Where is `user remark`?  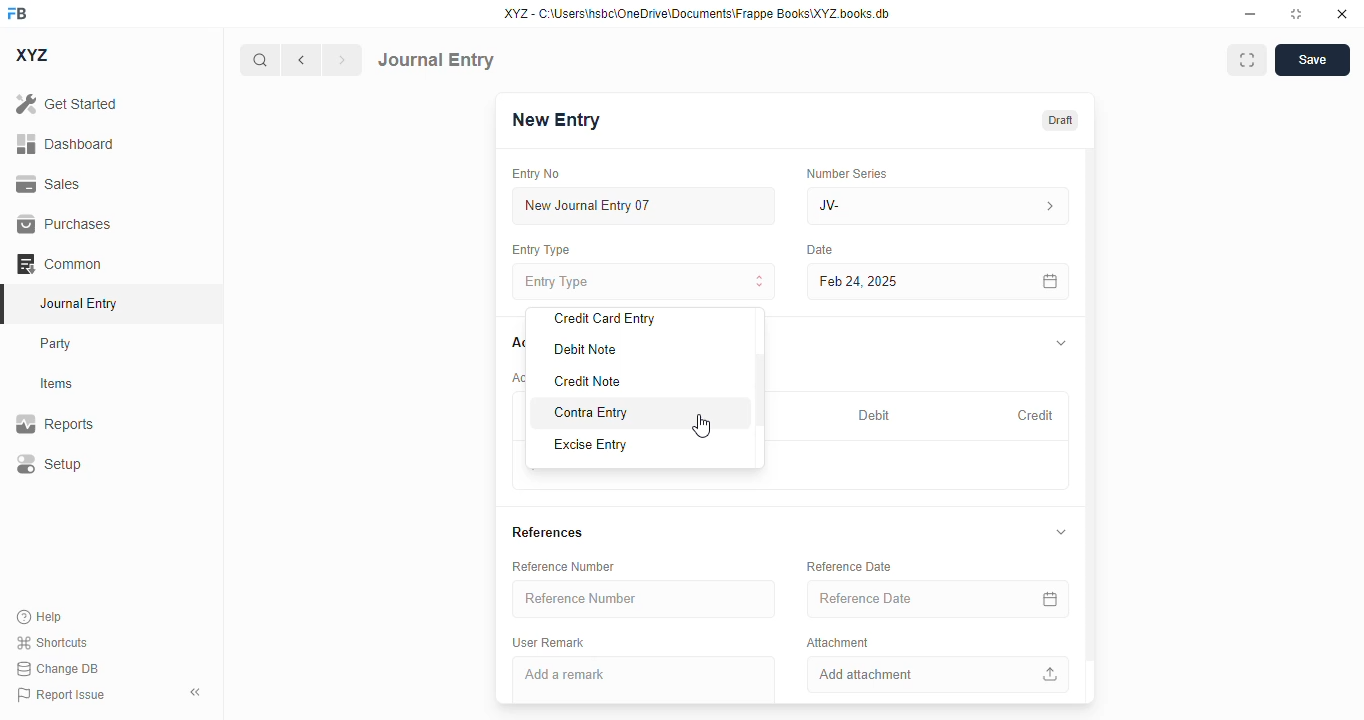 user remark is located at coordinates (550, 642).